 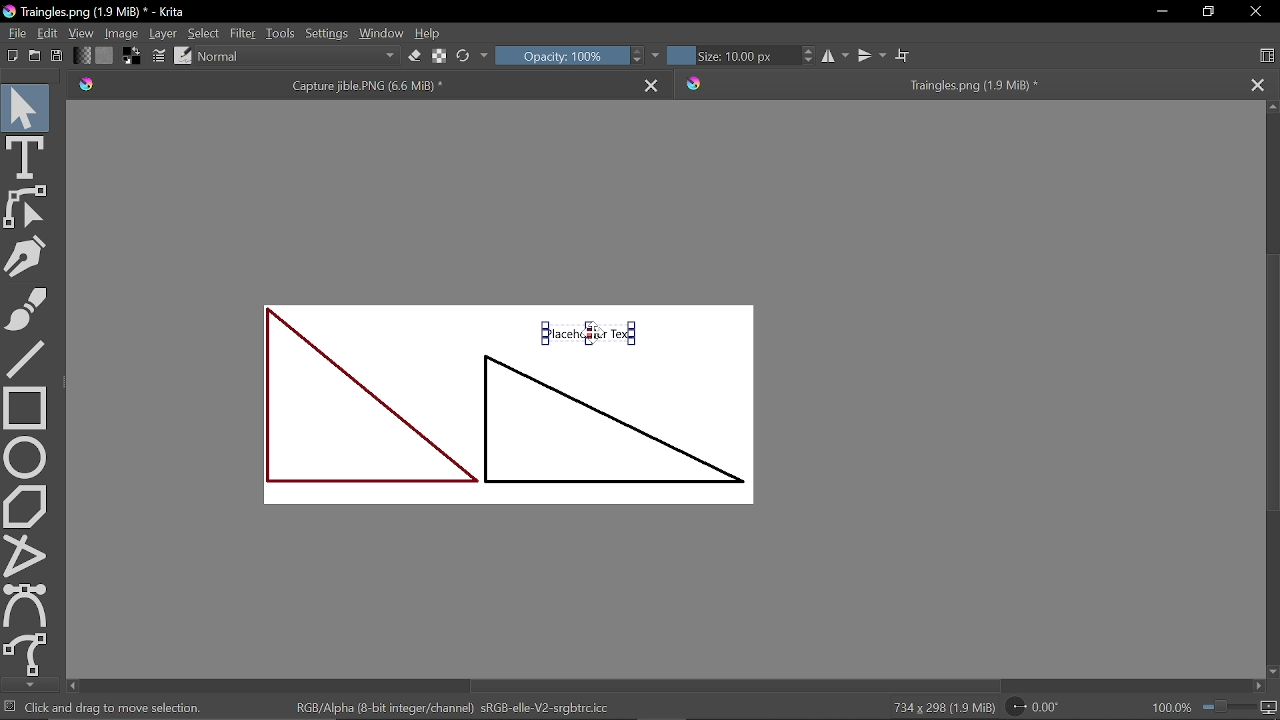 I want to click on Choose brush preset, so click(x=182, y=56).